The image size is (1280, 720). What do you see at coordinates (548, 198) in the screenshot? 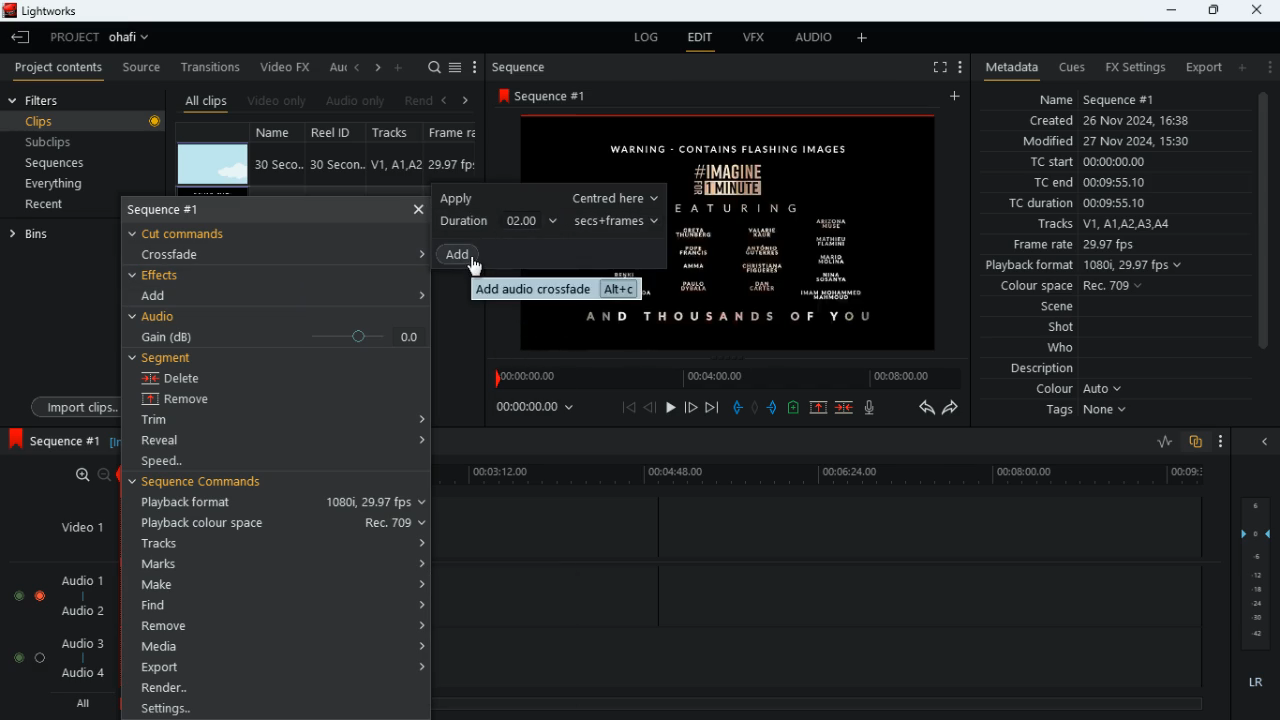
I see `apply` at bounding box center [548, 198].